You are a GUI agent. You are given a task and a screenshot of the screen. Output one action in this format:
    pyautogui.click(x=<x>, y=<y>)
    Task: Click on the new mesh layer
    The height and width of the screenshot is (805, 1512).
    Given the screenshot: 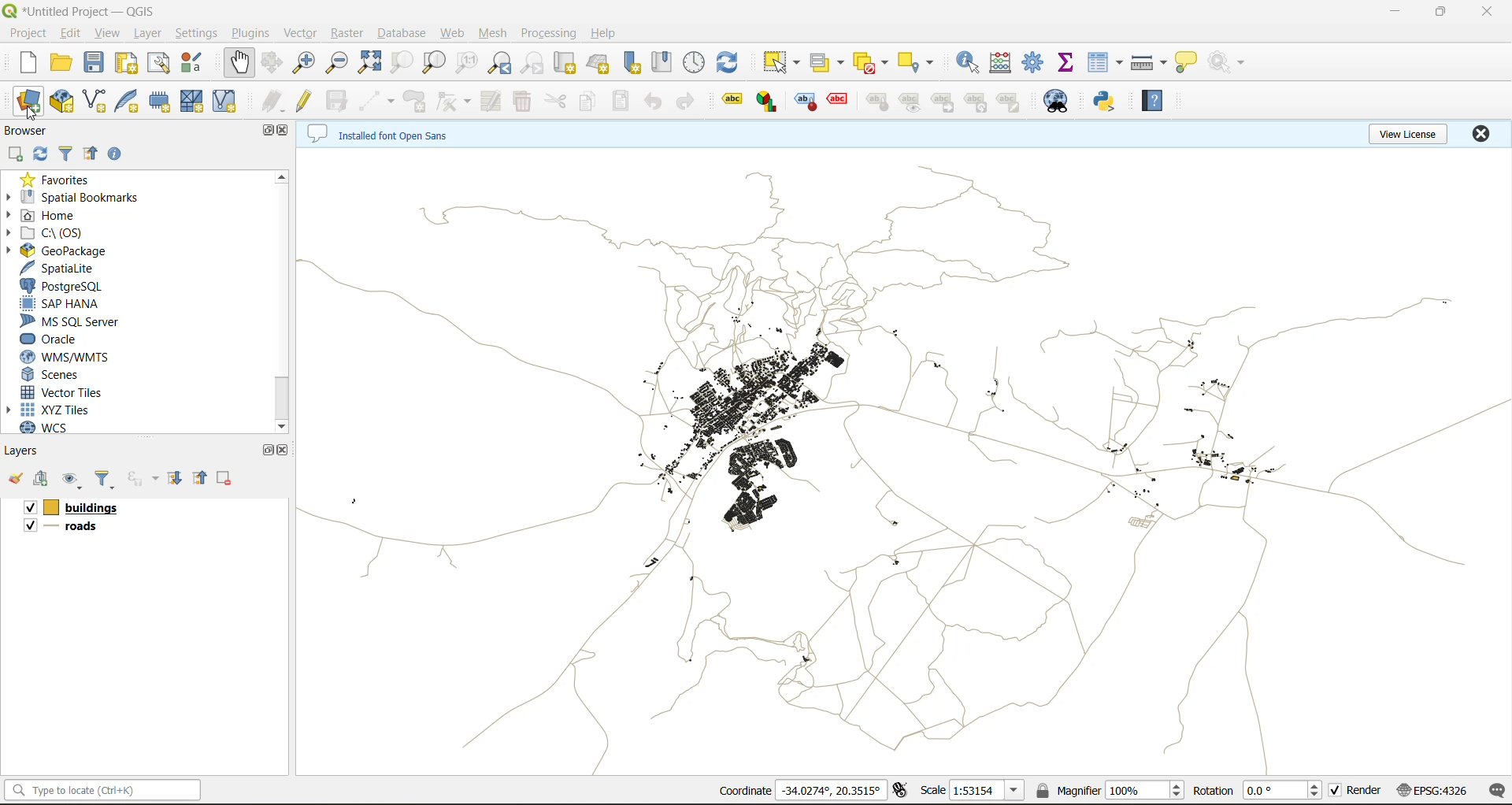 What is the action you would take?
    pyautogui.click(x=195, y=103)
    